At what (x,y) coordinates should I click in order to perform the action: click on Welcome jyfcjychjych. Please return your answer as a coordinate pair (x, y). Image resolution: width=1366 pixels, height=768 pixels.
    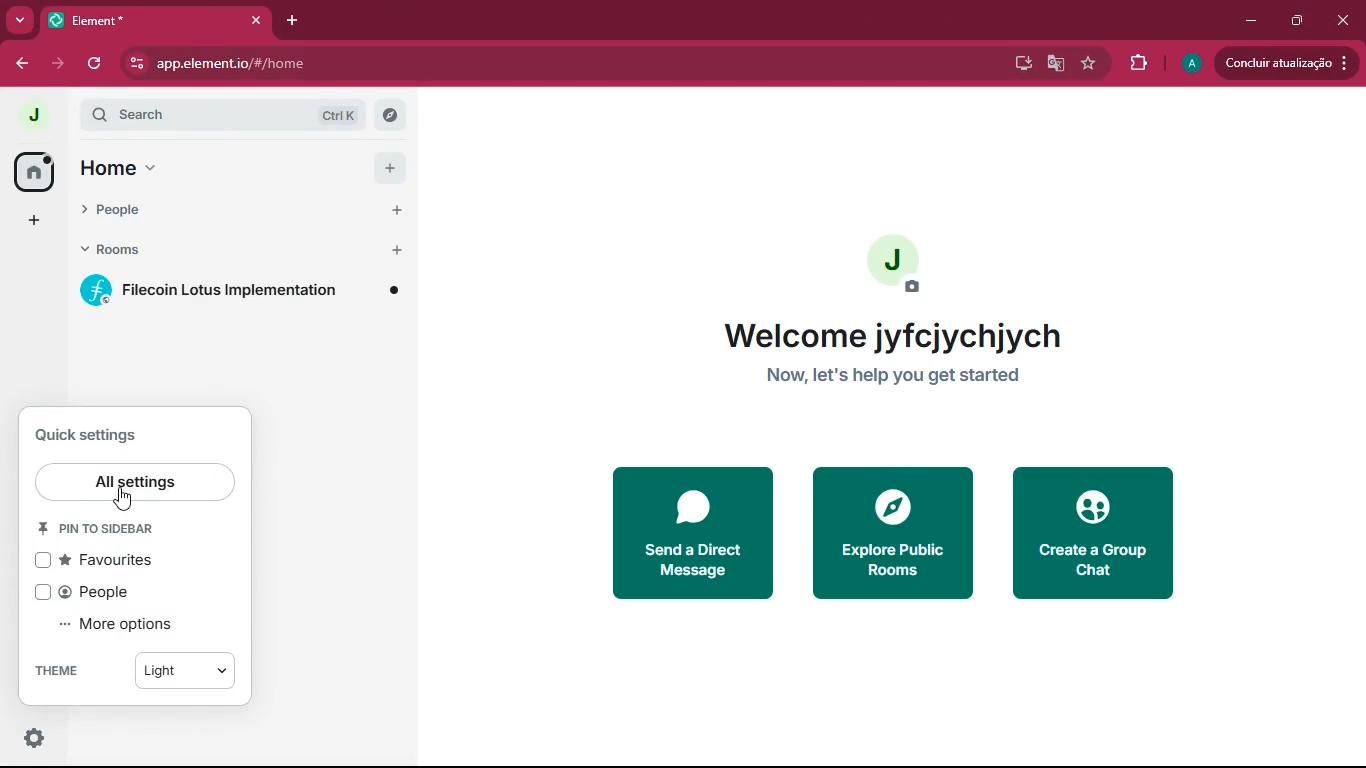
    Looking at the image, I should click on (891, 336).